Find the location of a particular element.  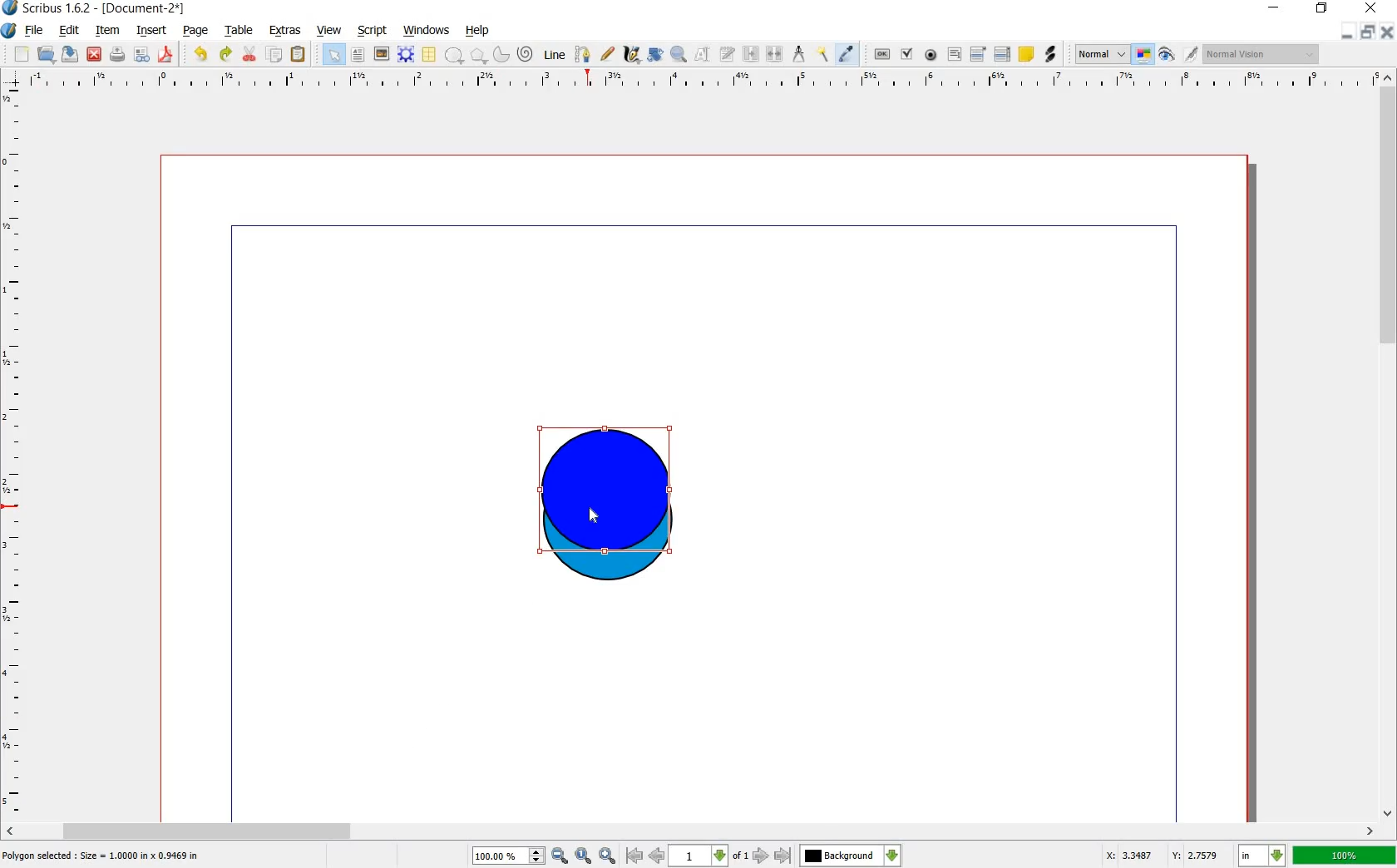

100% is located at coordinates (1345, 857).